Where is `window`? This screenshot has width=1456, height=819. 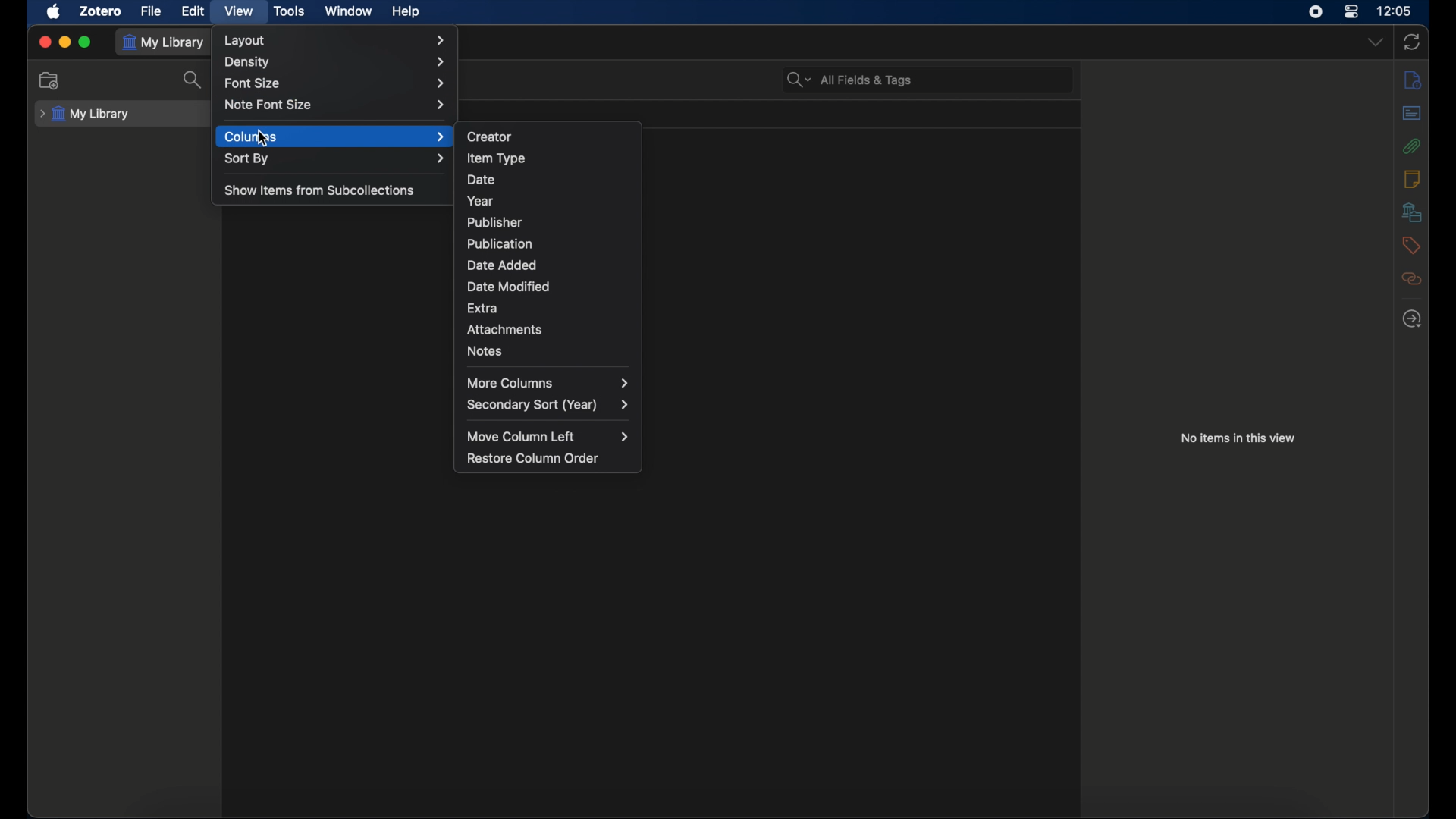 window is located at coordinates (347, 10).